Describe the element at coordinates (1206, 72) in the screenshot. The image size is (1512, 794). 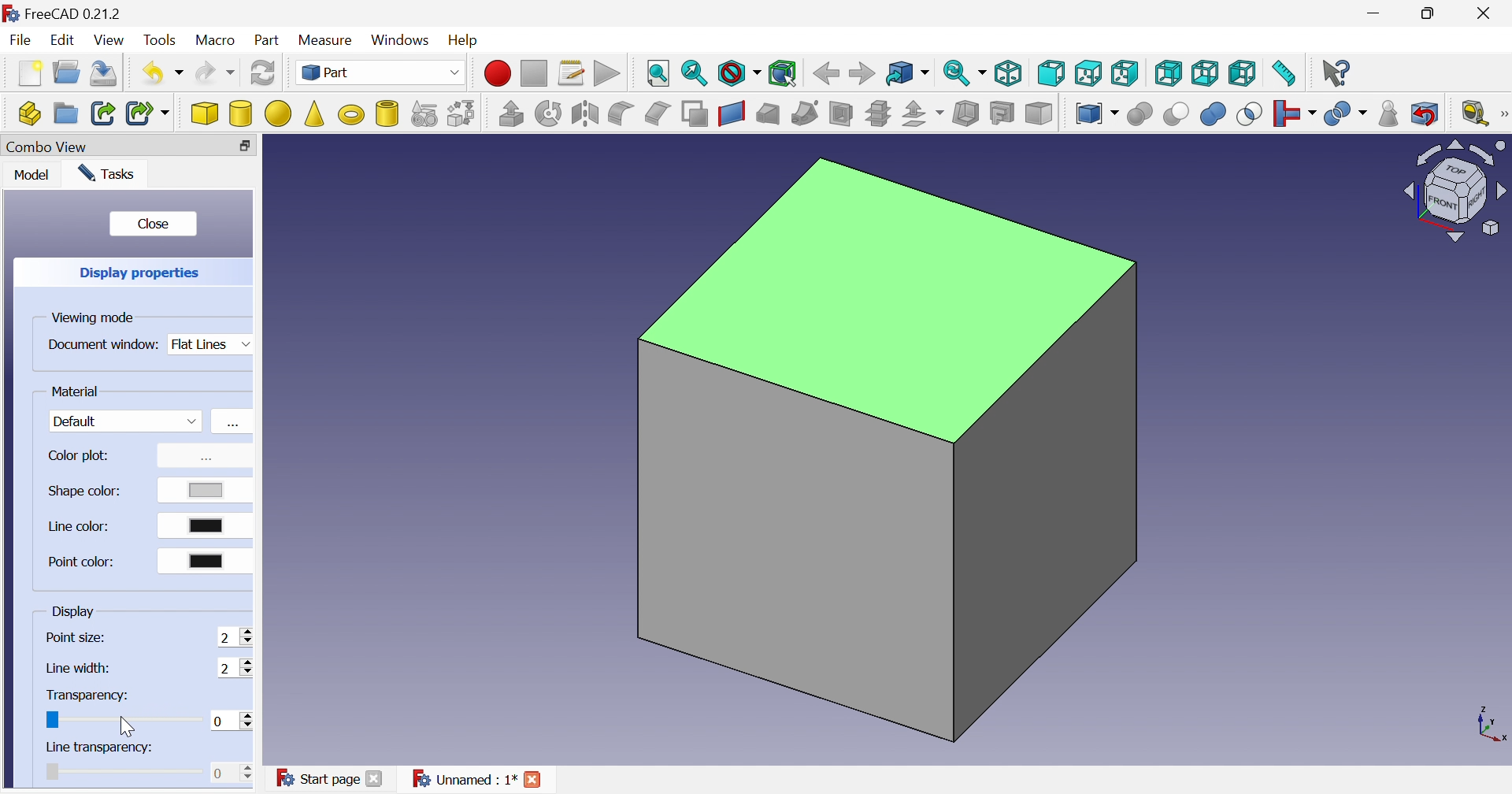
I see `Bottom` at that location.